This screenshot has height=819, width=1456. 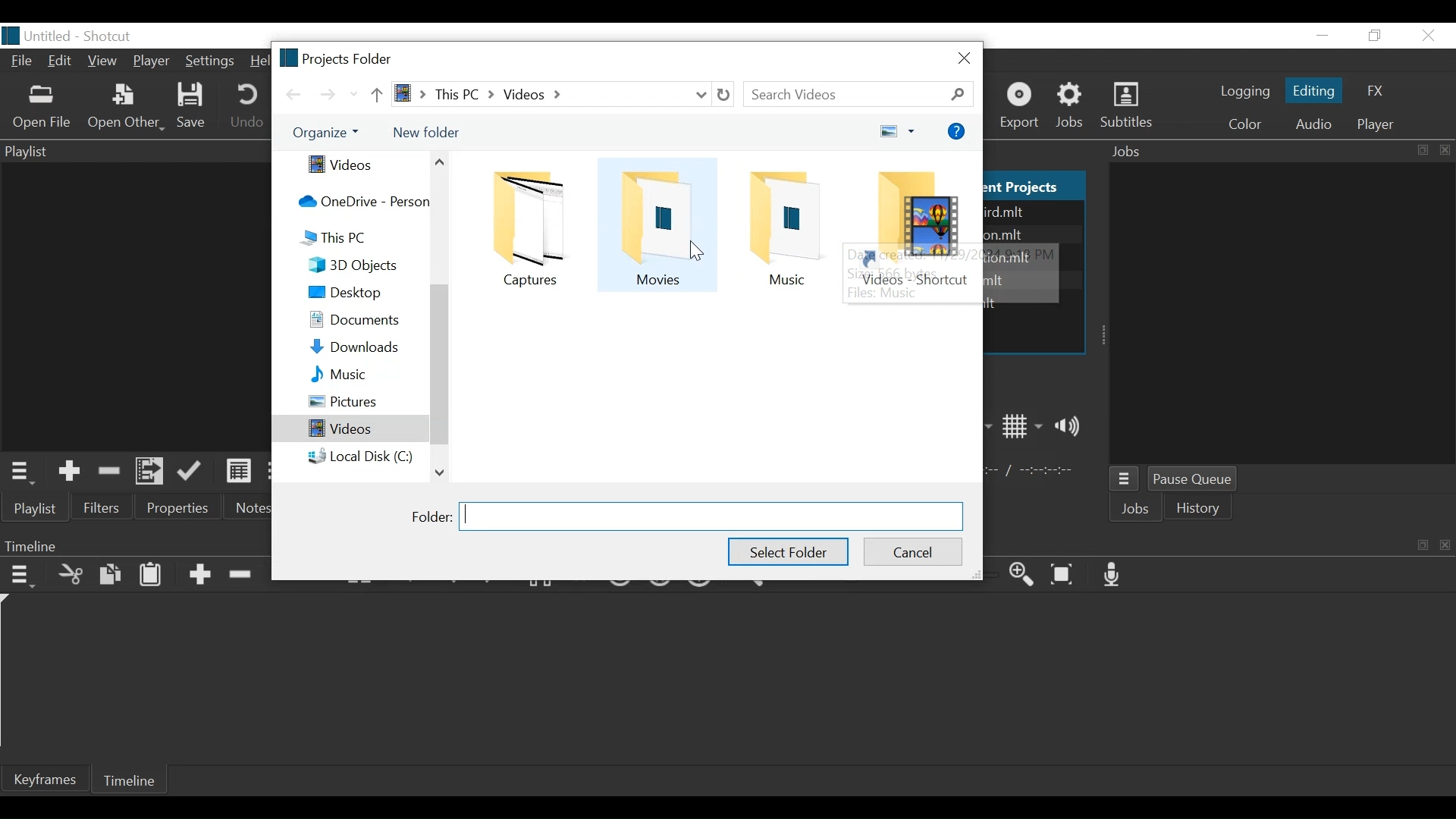 What do you see at coordinates (110, 35) in the screenshot?
I see `Shotcut` at bounding box center [110, 35].